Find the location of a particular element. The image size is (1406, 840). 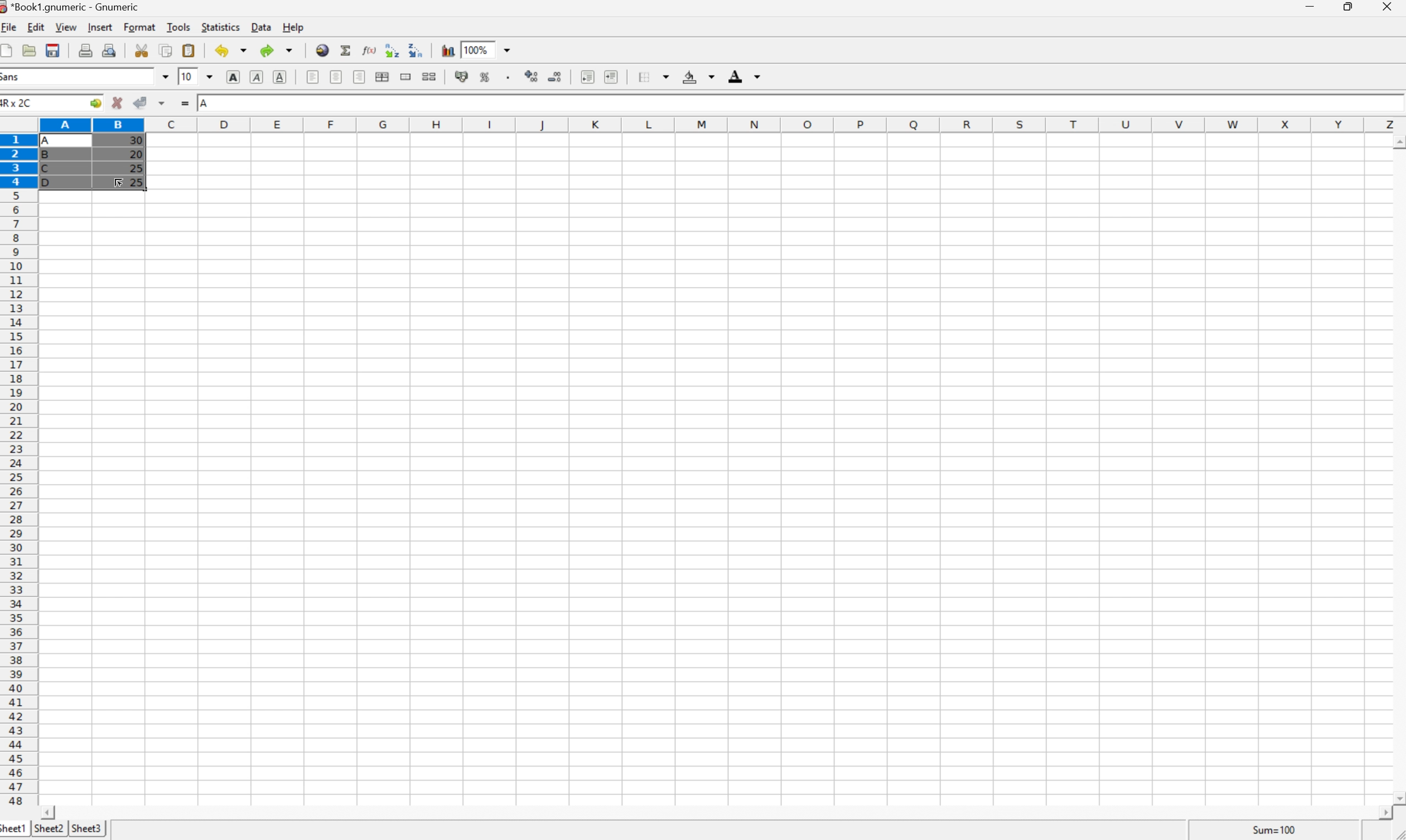

Scroll Left is located at coordinates (50, 812).